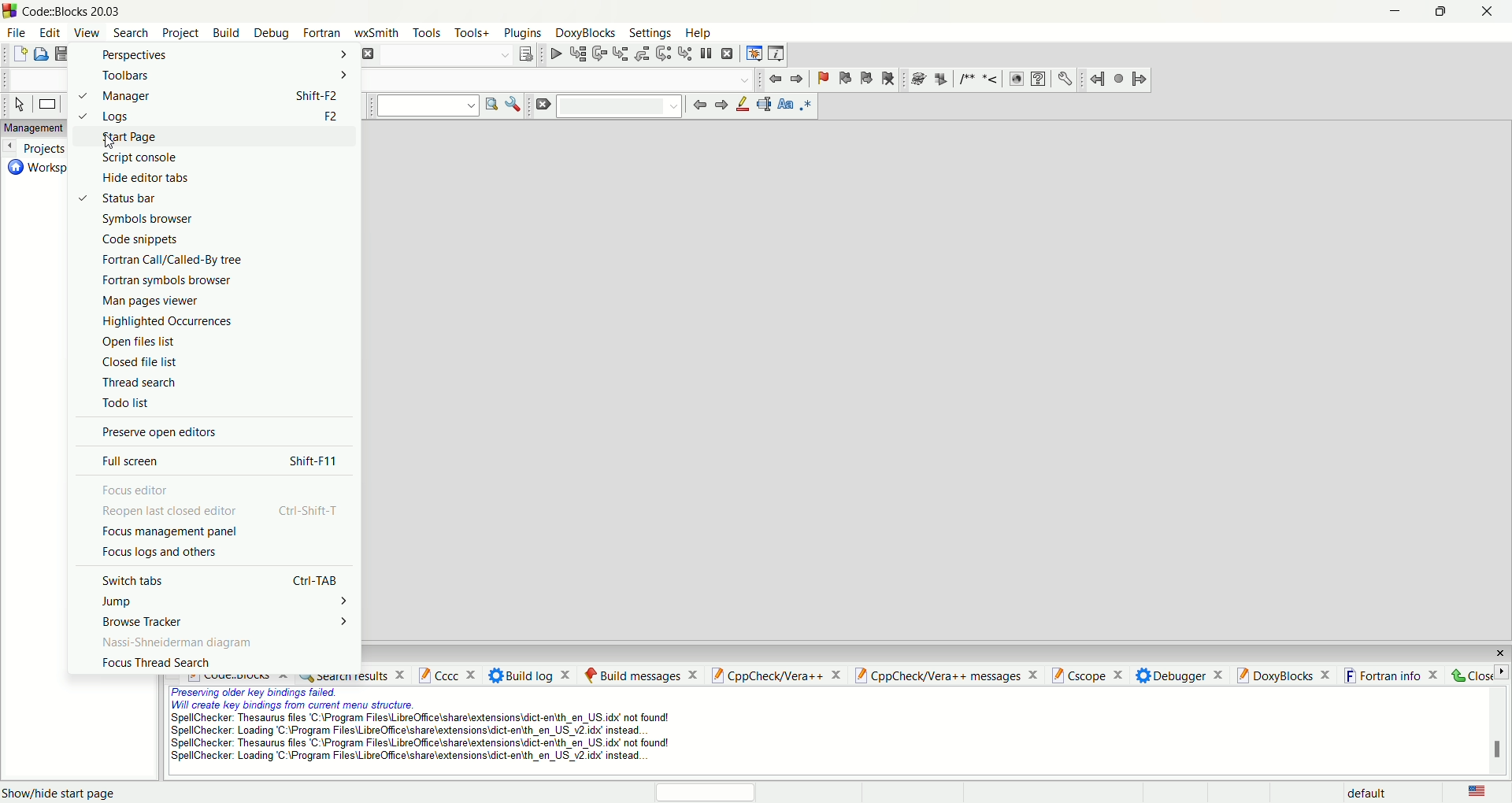  I want to click on highlight, so click(743, 106).